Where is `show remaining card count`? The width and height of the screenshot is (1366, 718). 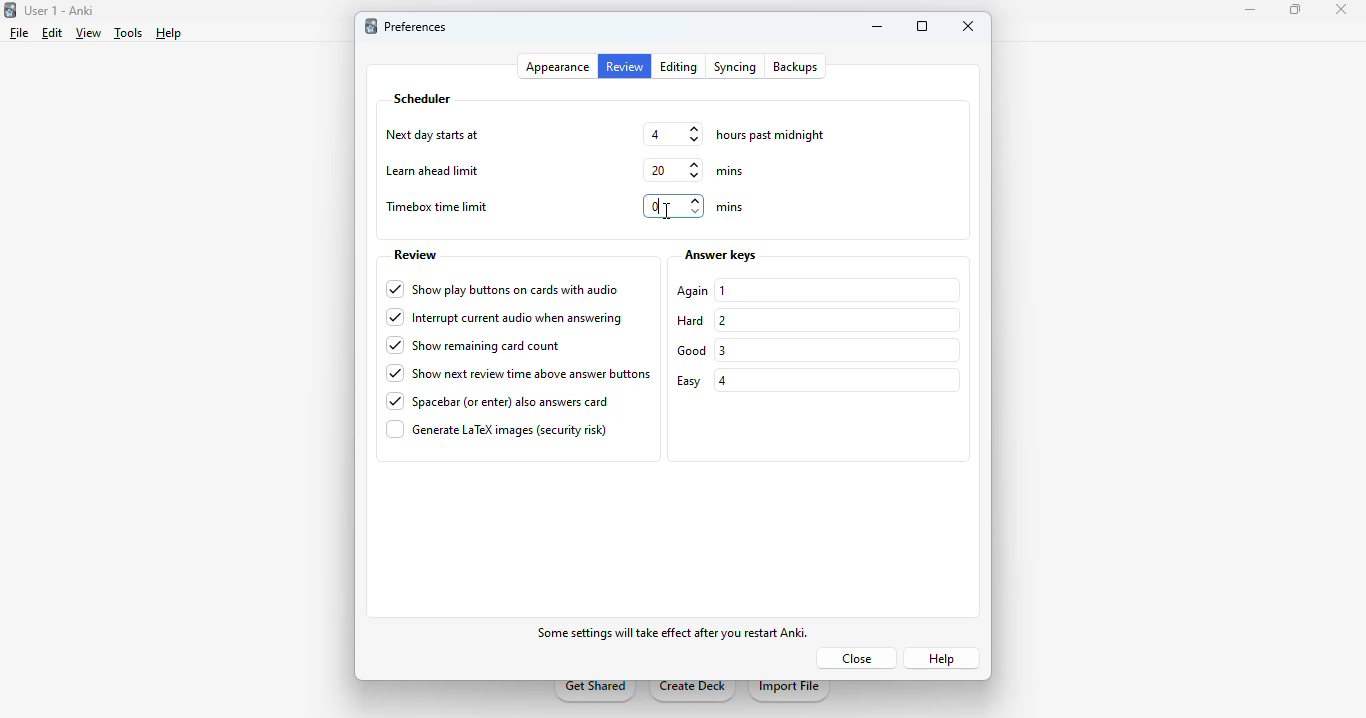
show remaining card count is located at coordinates (473, 345).